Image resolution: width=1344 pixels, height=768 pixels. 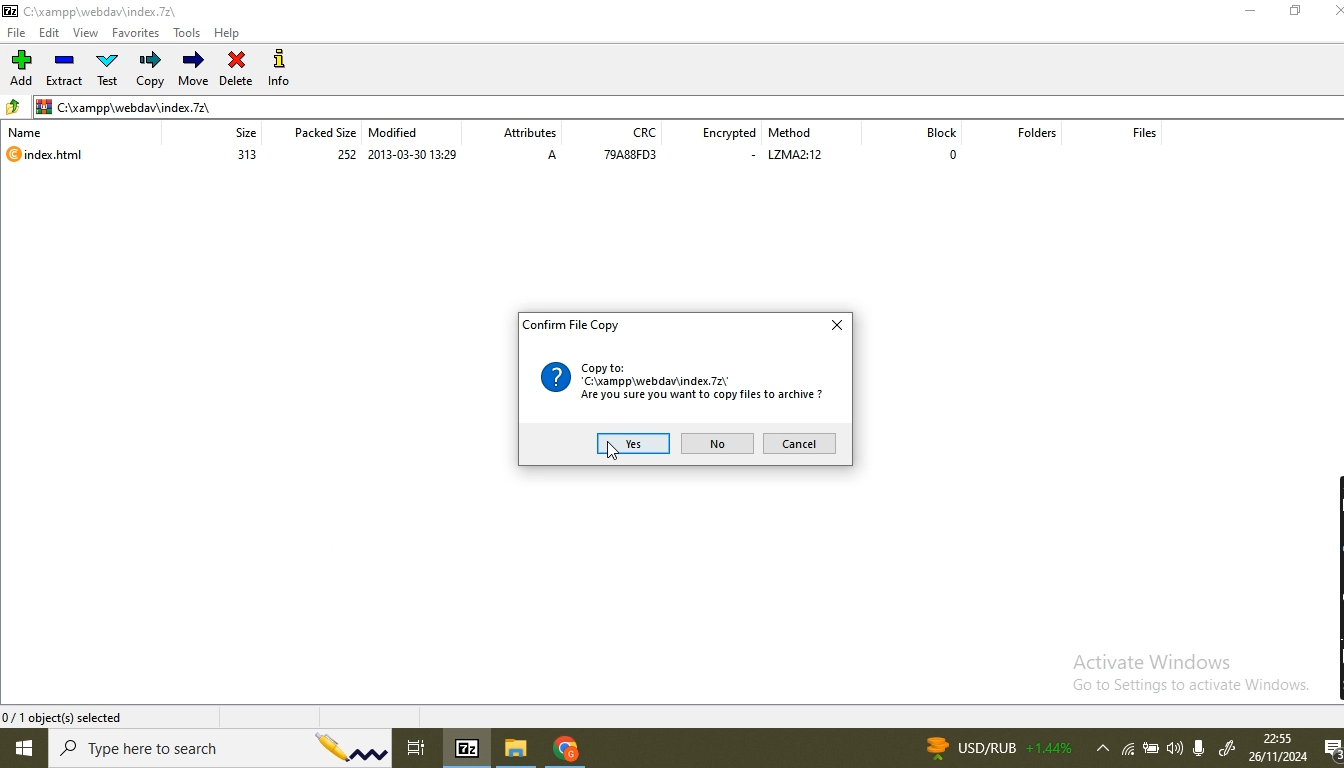 I want to click on method, so click(x=801, y=130).